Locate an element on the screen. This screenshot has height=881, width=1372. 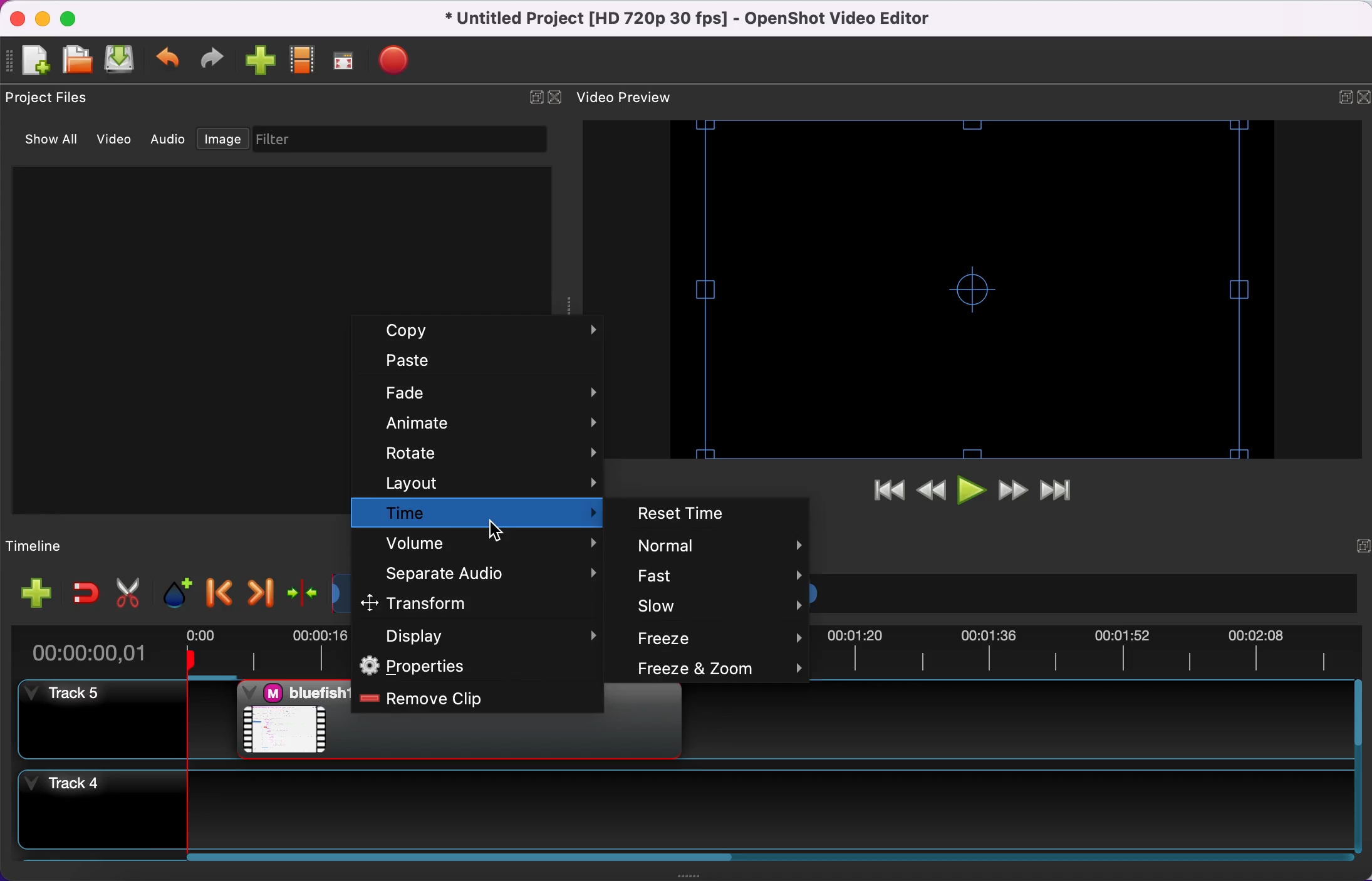
maximize is located at coordinates (75, 18).